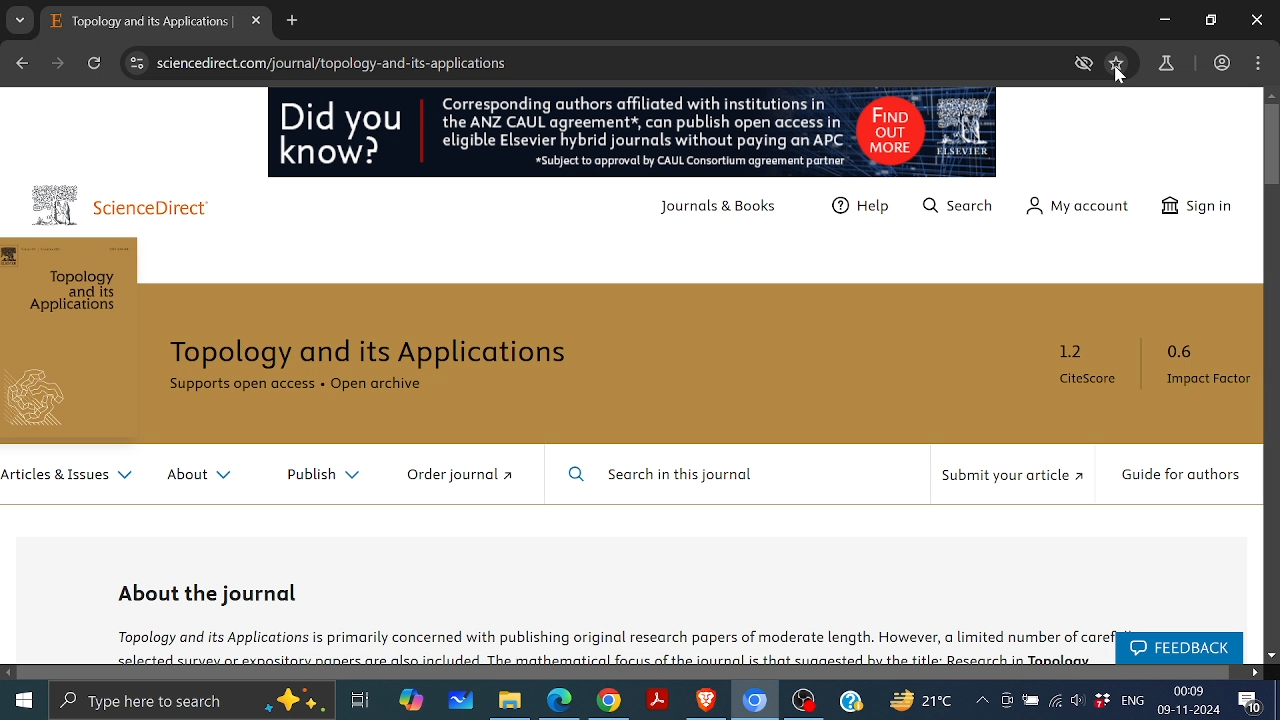 Image resolution: width=1280 pixels, height=720 pixels. Describe the element at coordinates (1189, 701) in the screenshot. I see `00:09 09-11-2024` at that location.